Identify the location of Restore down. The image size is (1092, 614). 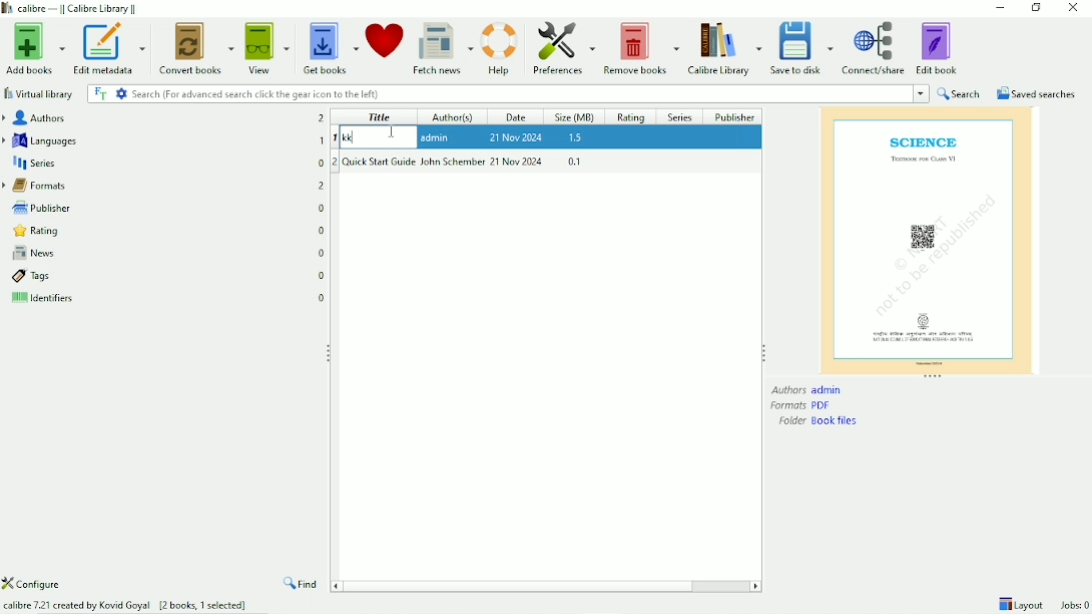
(1036, 8).